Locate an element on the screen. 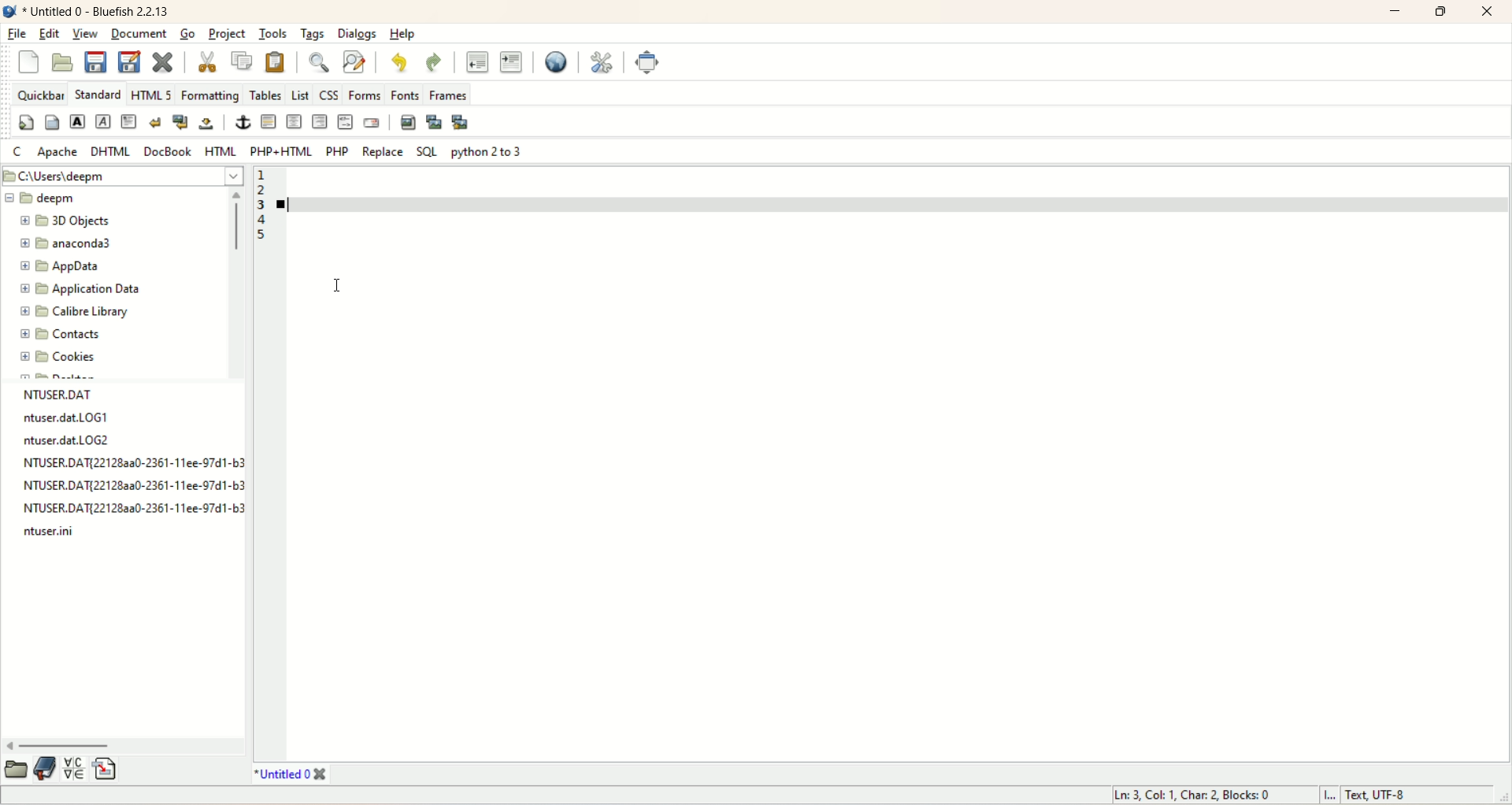 The height and width of the screenshot is (805, 1512). close current document is located at coordinates (165, 59).